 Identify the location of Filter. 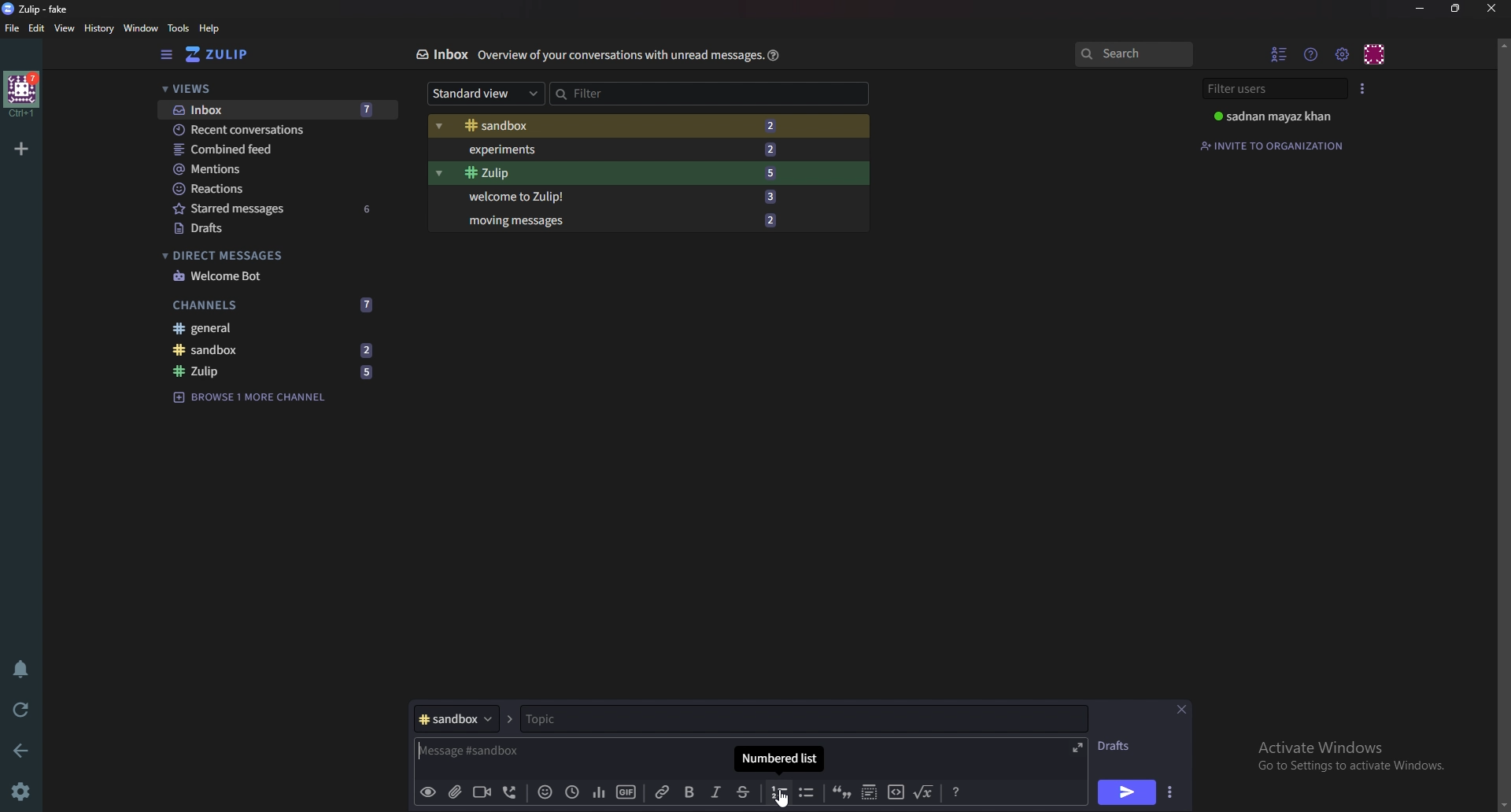
(621, 91).